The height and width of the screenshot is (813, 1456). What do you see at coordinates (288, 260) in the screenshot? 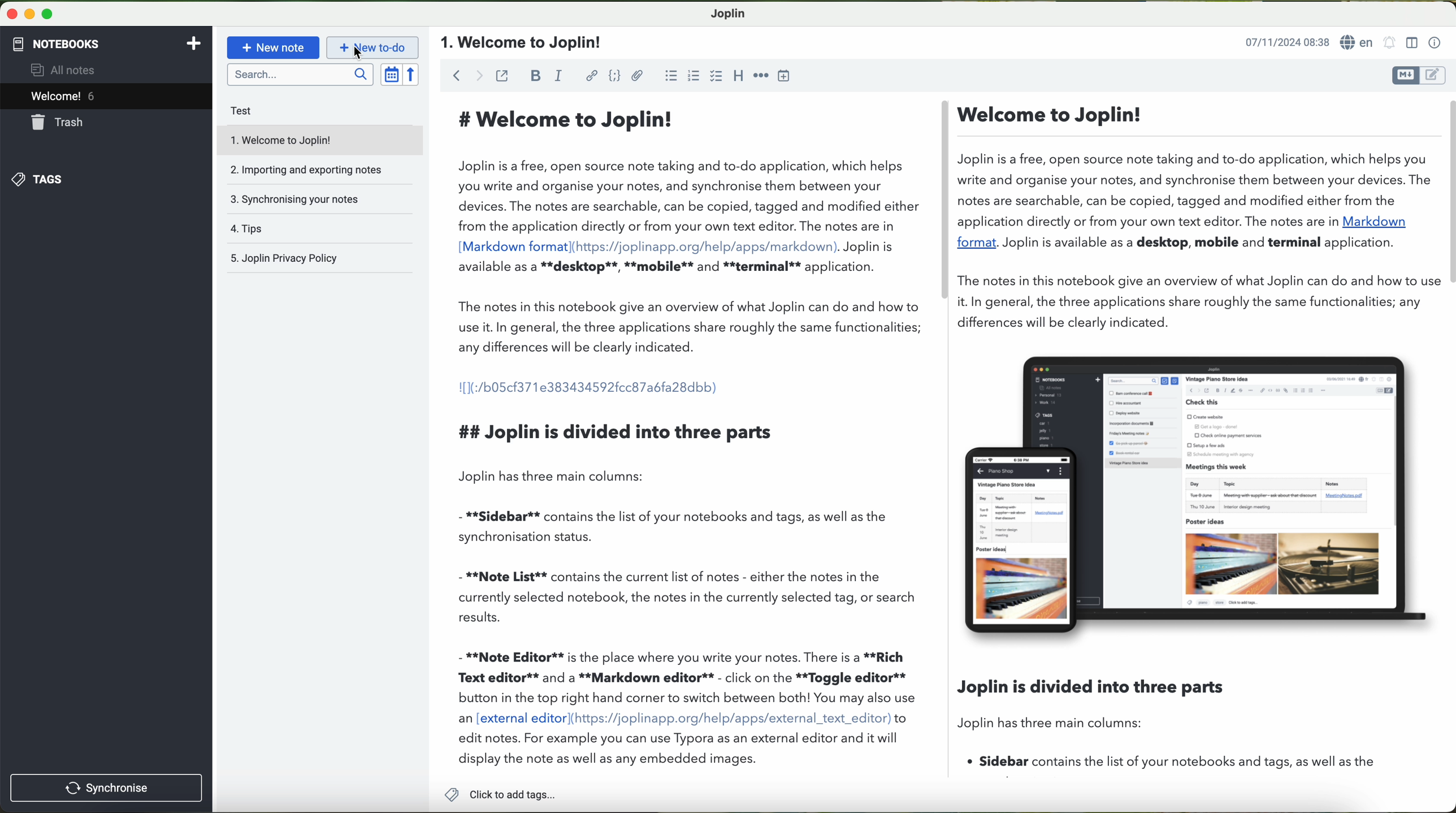
I see `Joplin privacy policy` at bounding box center [288, 260].